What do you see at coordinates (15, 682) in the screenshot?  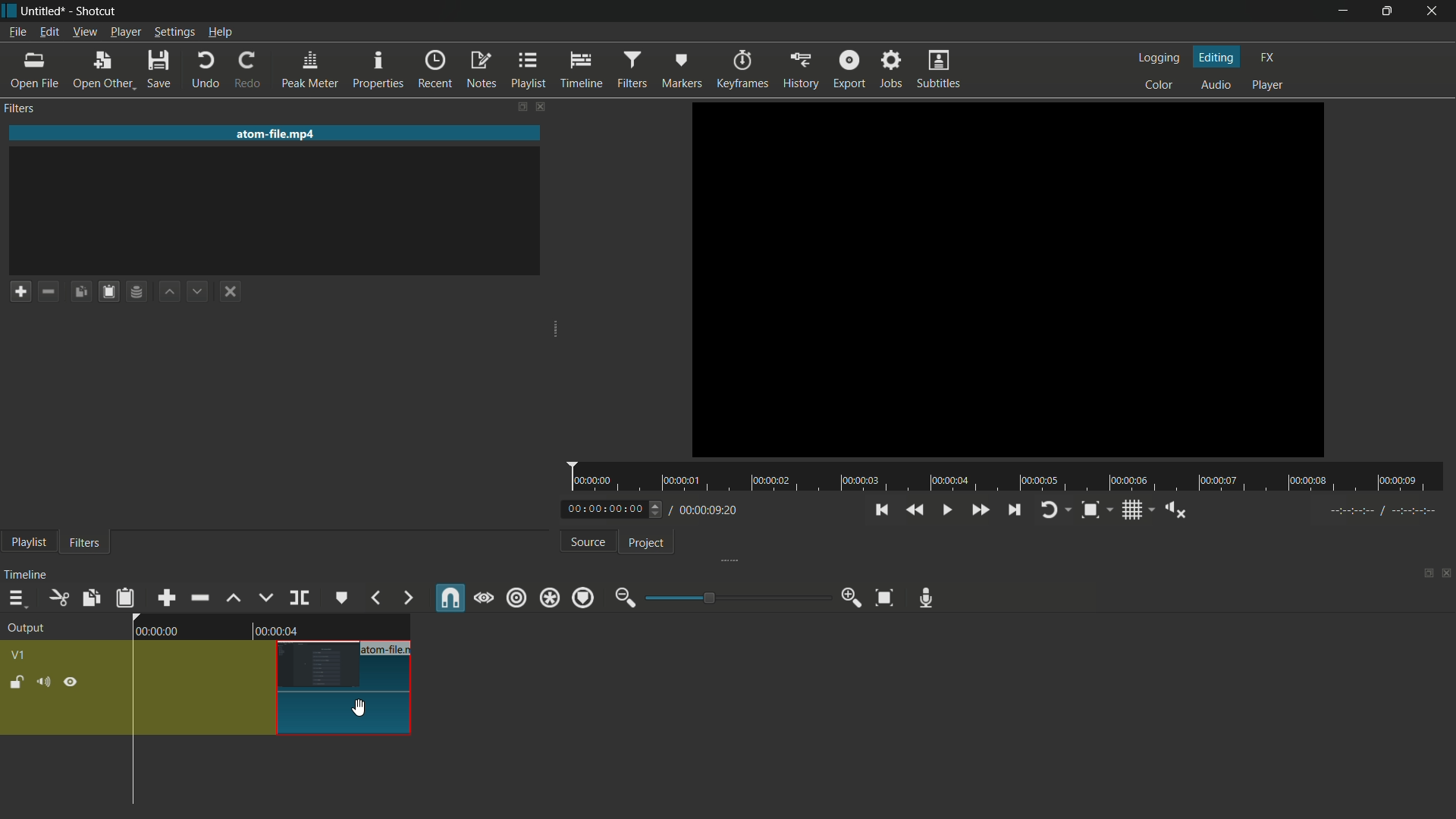 I see `lock` at bounding box center [15, 682].